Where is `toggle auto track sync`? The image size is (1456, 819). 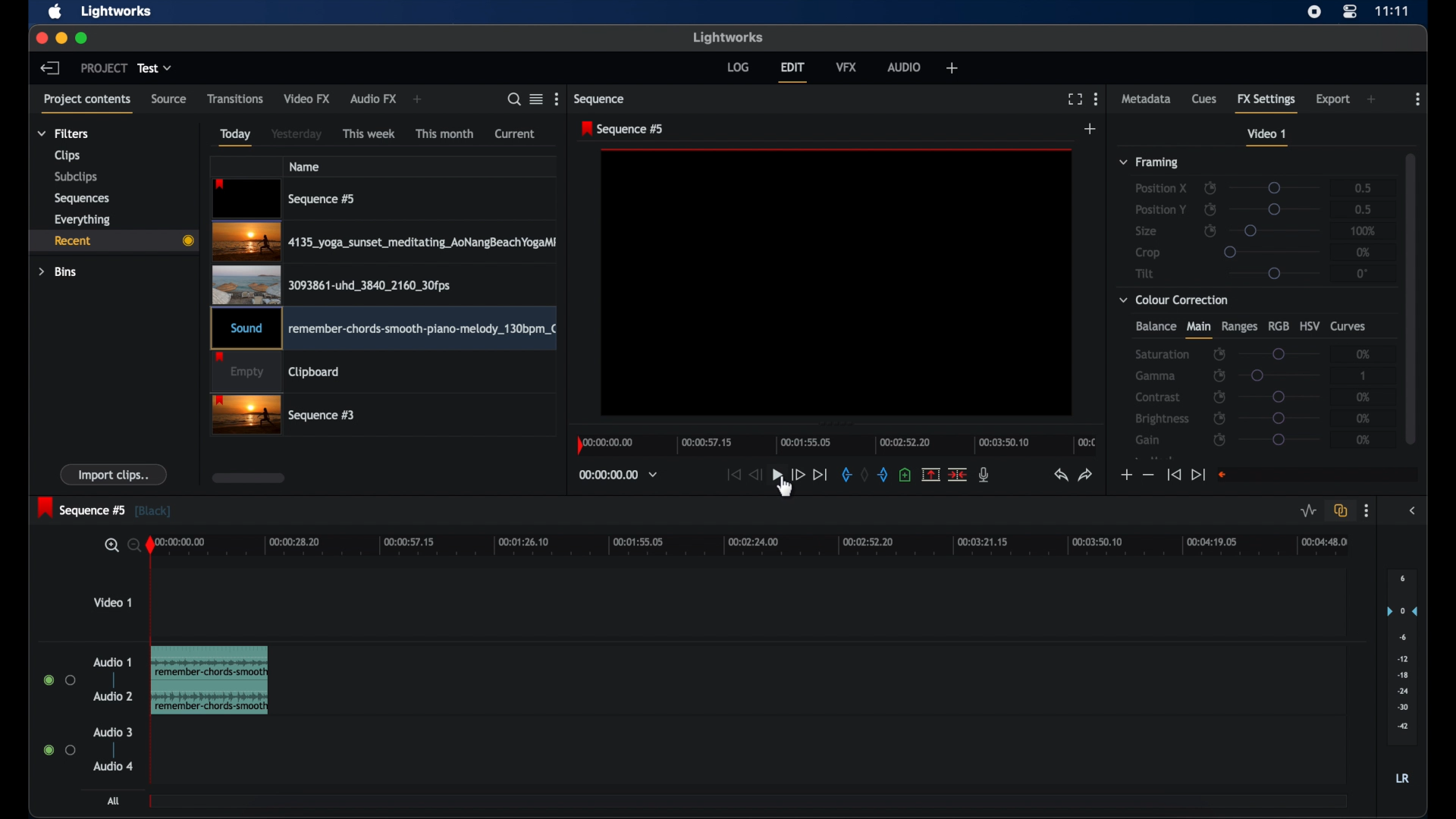 toggle auto track sync is located at coordinates (1341, 510).